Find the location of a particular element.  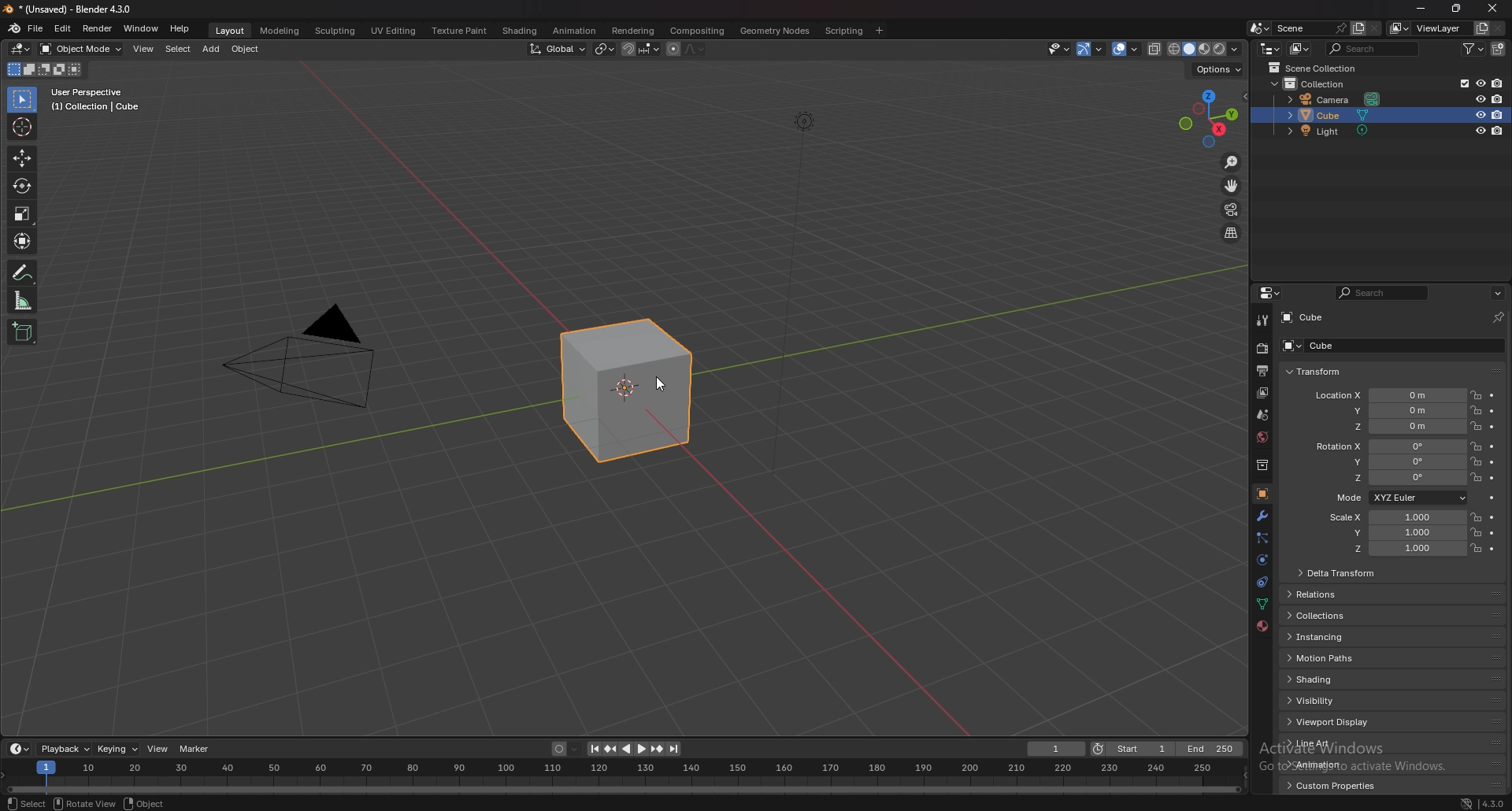

hide in viewport is located at coordinates (1480, 131).